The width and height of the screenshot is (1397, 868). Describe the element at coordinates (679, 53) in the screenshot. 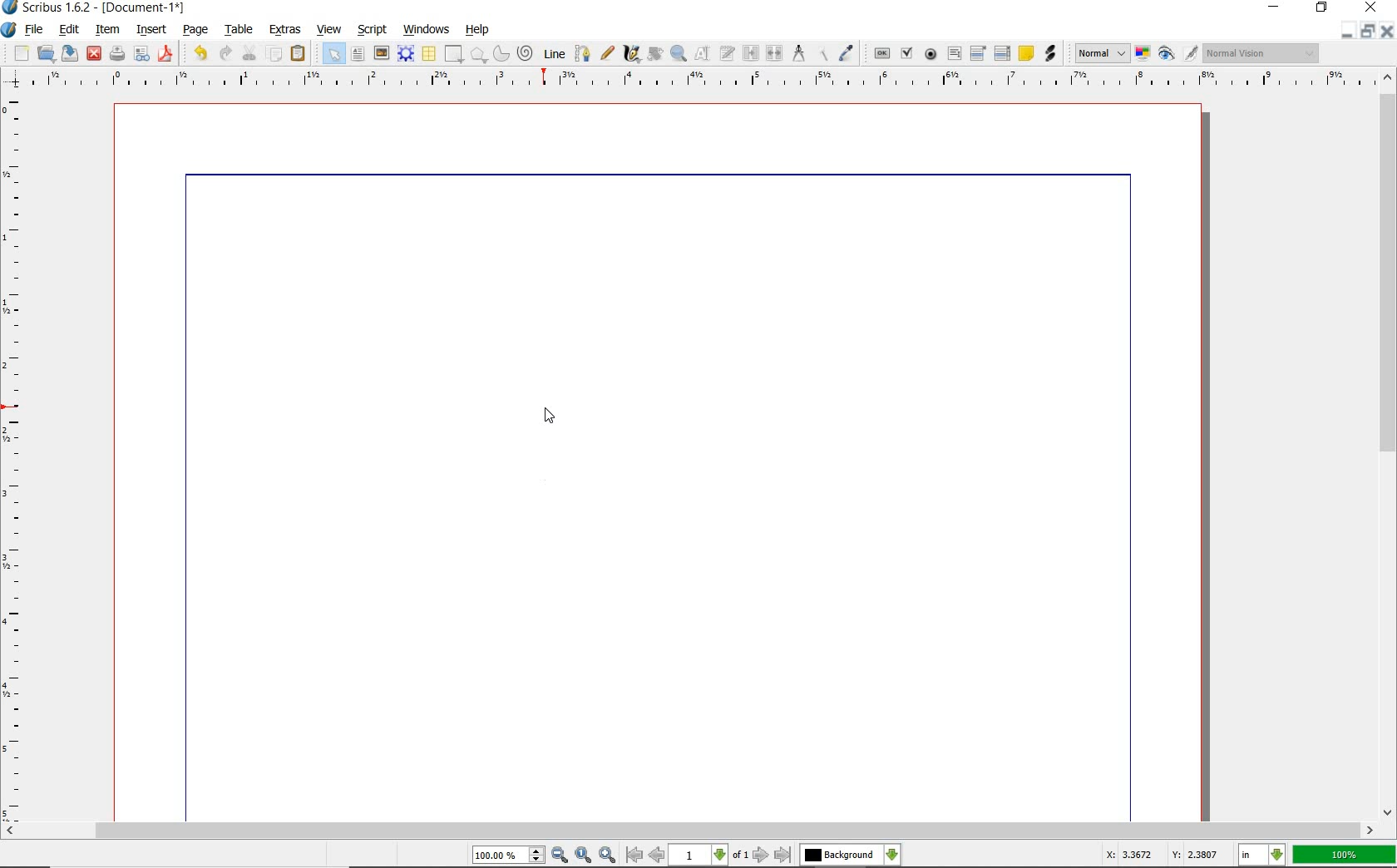

I see `zoom in or zoom out` at that location.